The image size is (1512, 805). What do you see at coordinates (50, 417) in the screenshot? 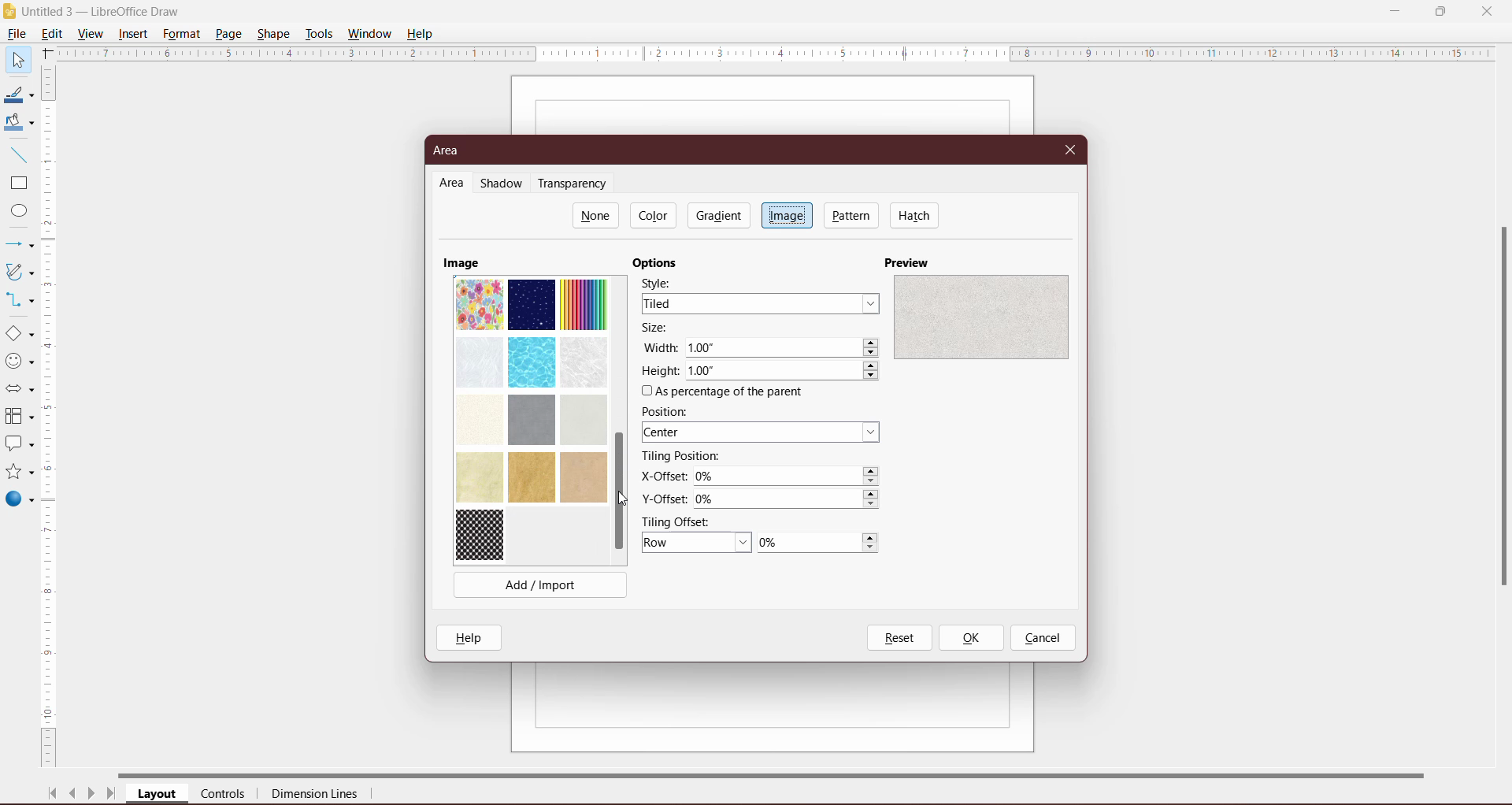
I see `Vertical Scroll Bar` at bounding box center [50, 417].